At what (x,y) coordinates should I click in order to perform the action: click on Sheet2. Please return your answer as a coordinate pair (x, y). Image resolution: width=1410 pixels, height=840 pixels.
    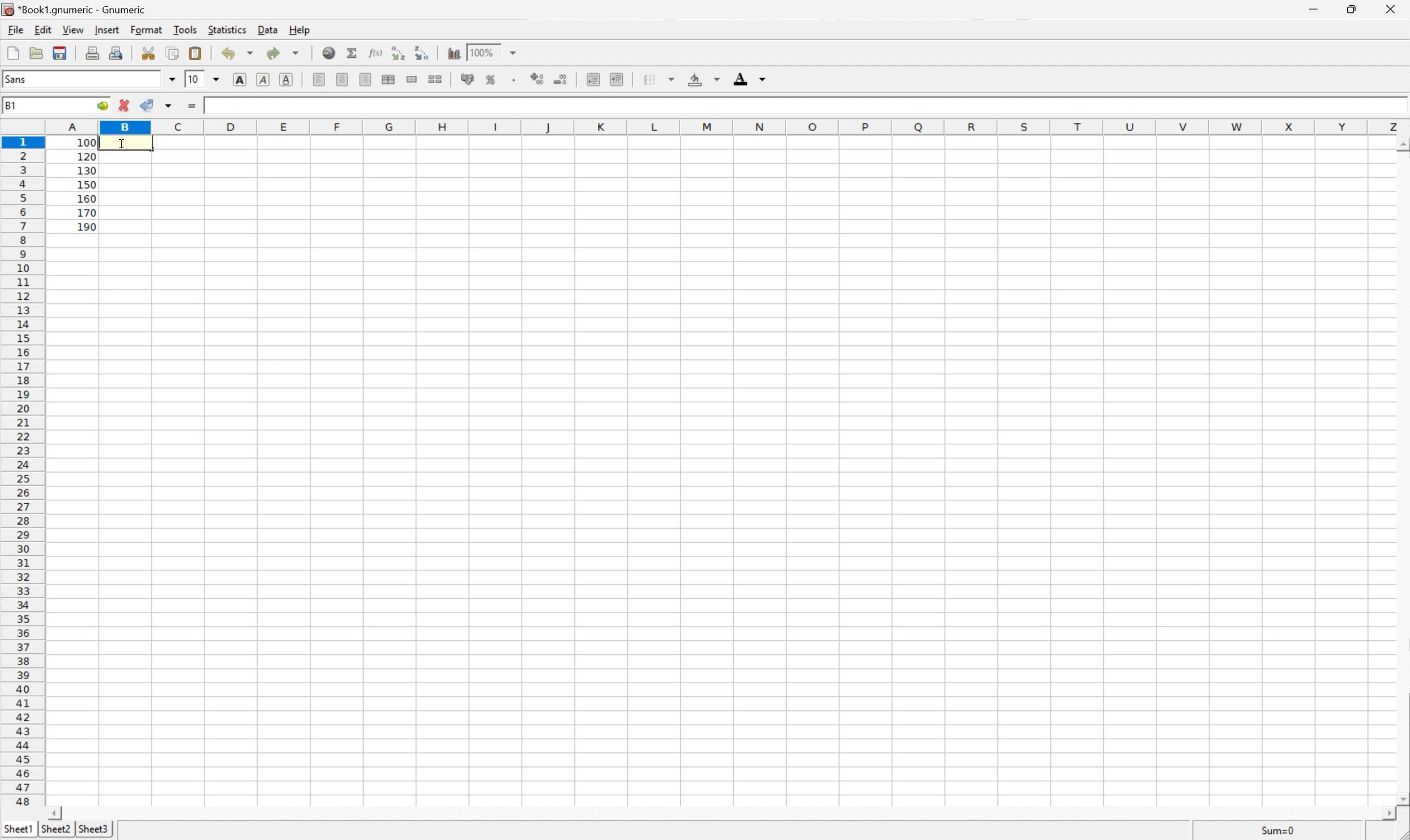
    Looking at the image, I should click on (57, 829).